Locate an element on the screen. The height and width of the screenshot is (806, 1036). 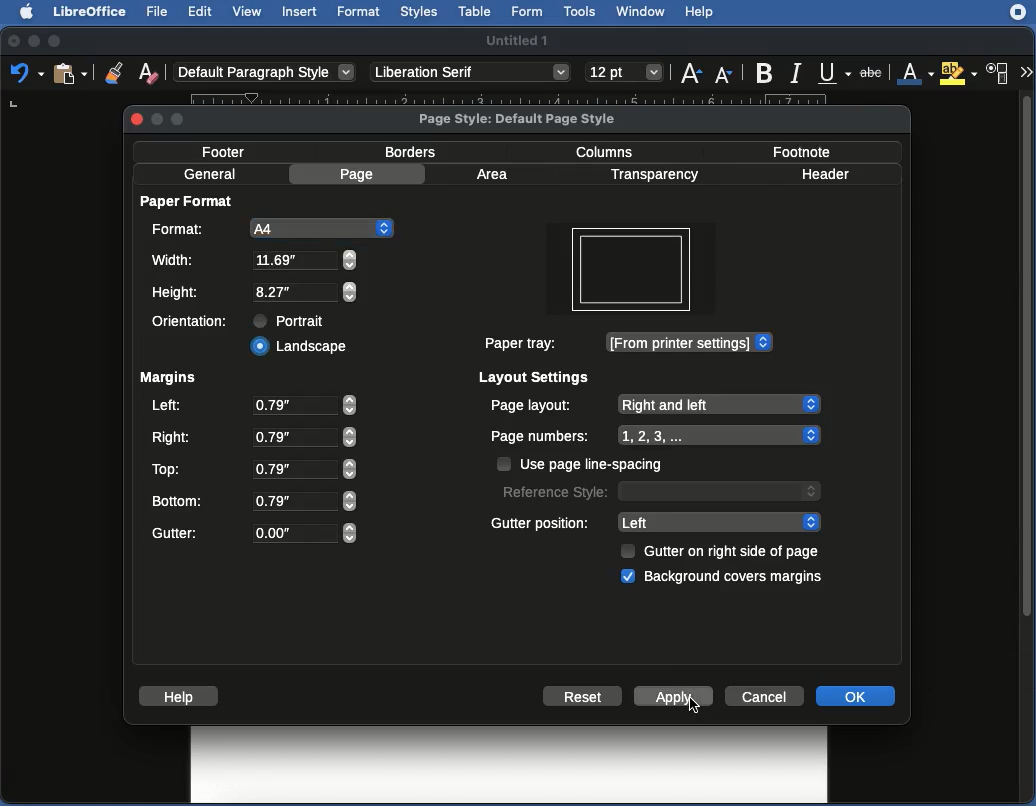
Gutter position is located at coordinates (540, 522).